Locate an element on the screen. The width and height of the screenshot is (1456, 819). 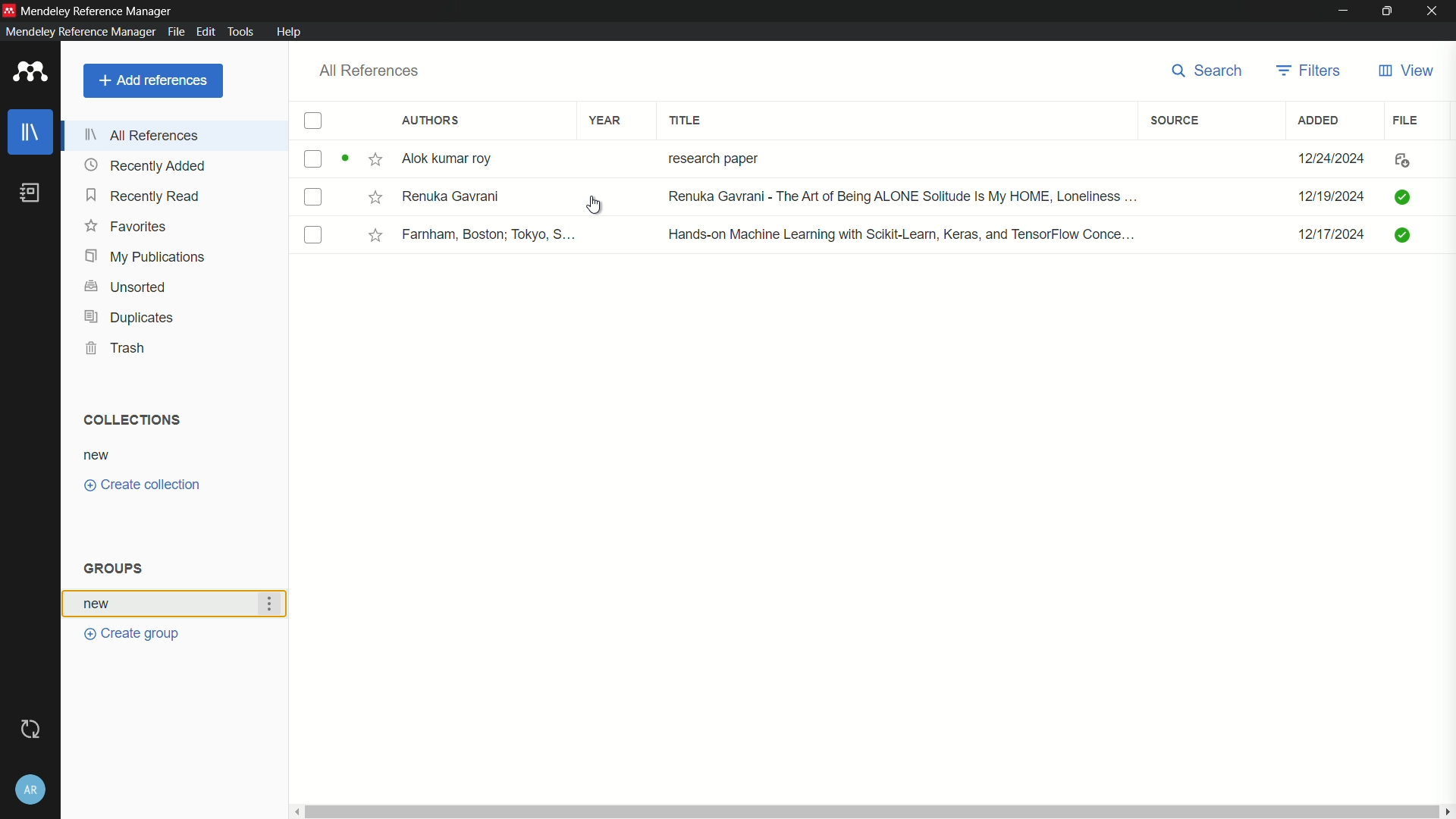
Star is located at coordinates (362, 160).